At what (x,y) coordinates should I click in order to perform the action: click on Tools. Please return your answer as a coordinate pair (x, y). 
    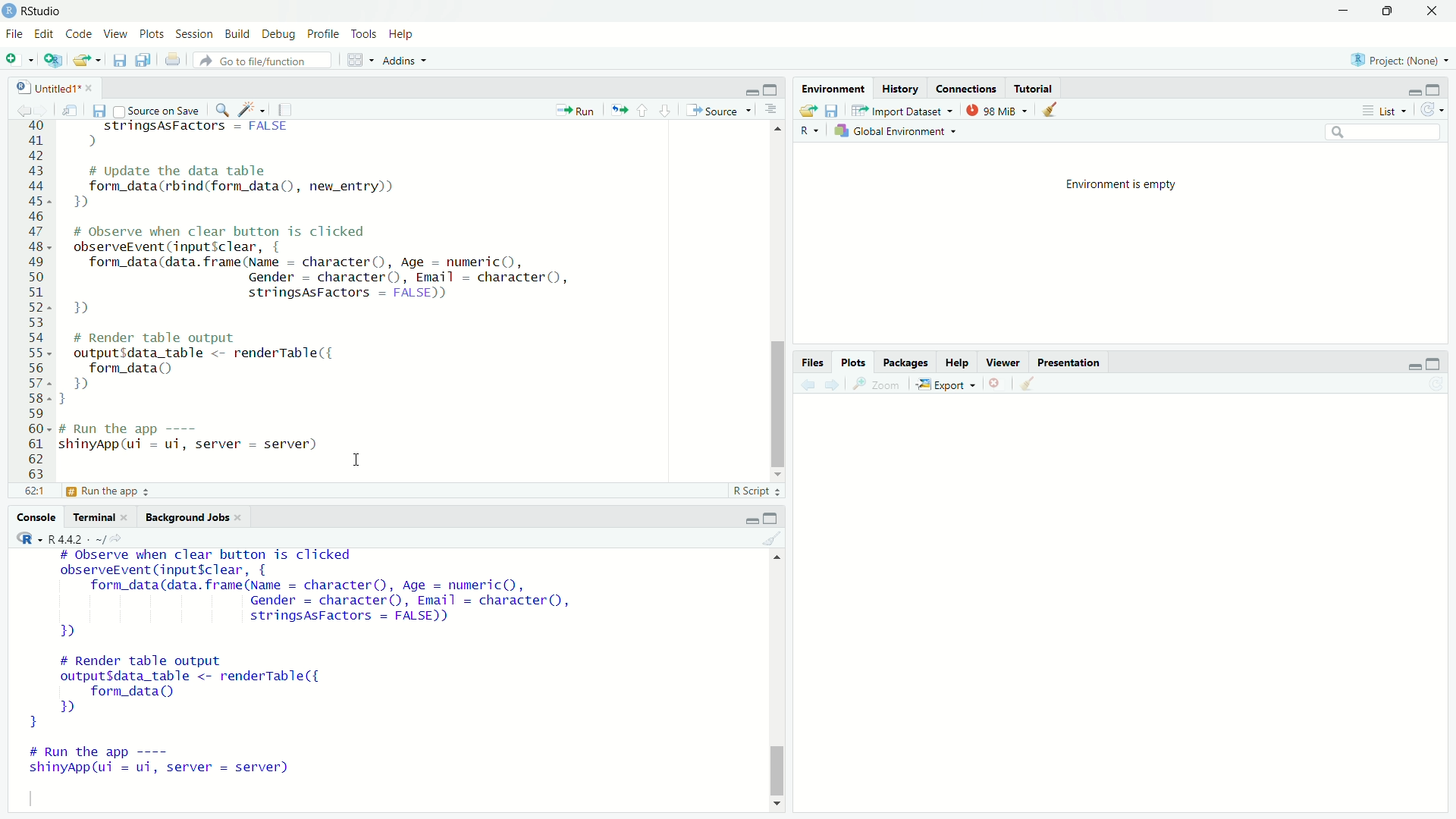
    Looking at the image, I should click on (364, 33).